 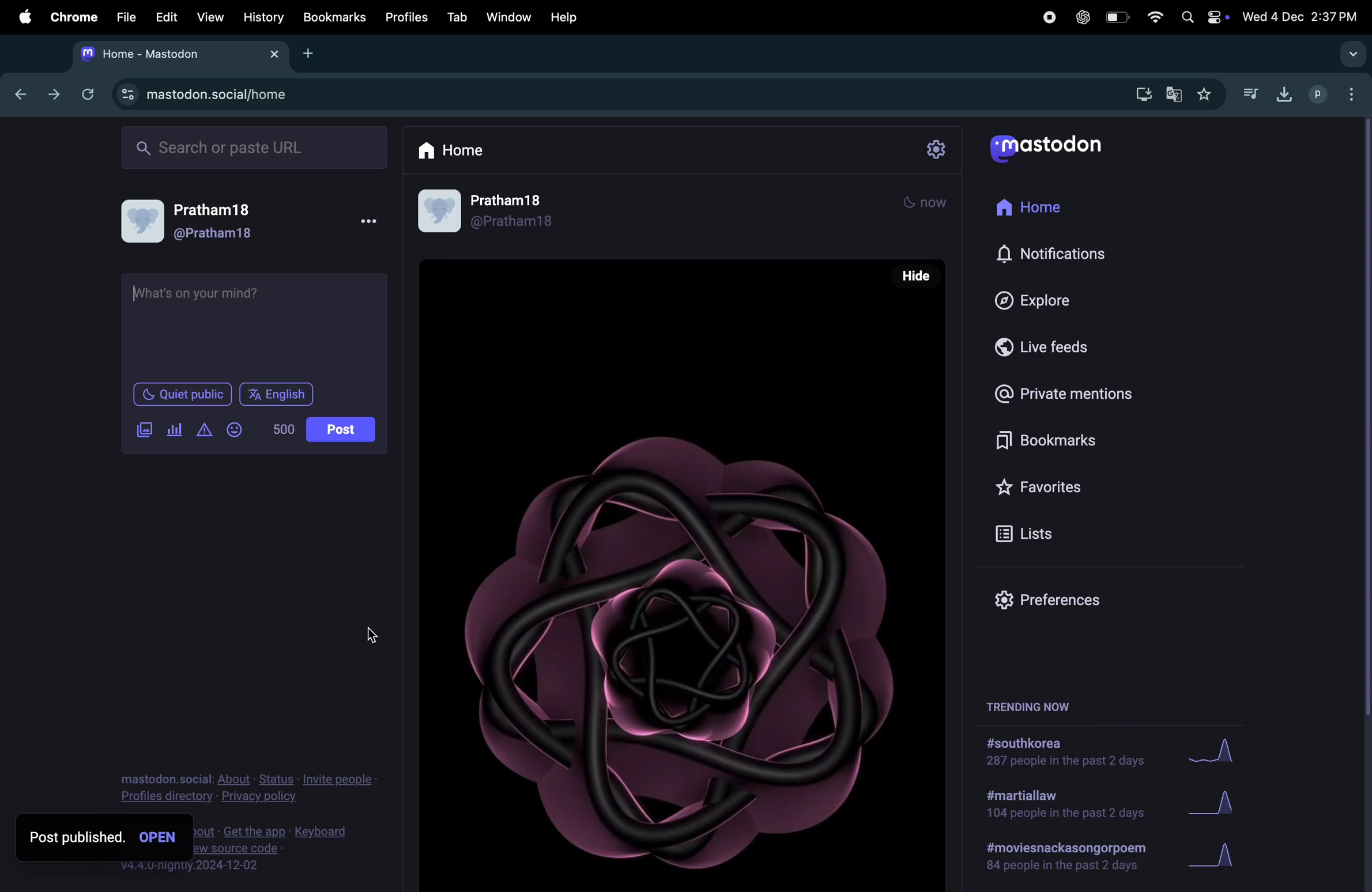 I want to click on #moviessnackand poem, so click(x=1071, y=855).